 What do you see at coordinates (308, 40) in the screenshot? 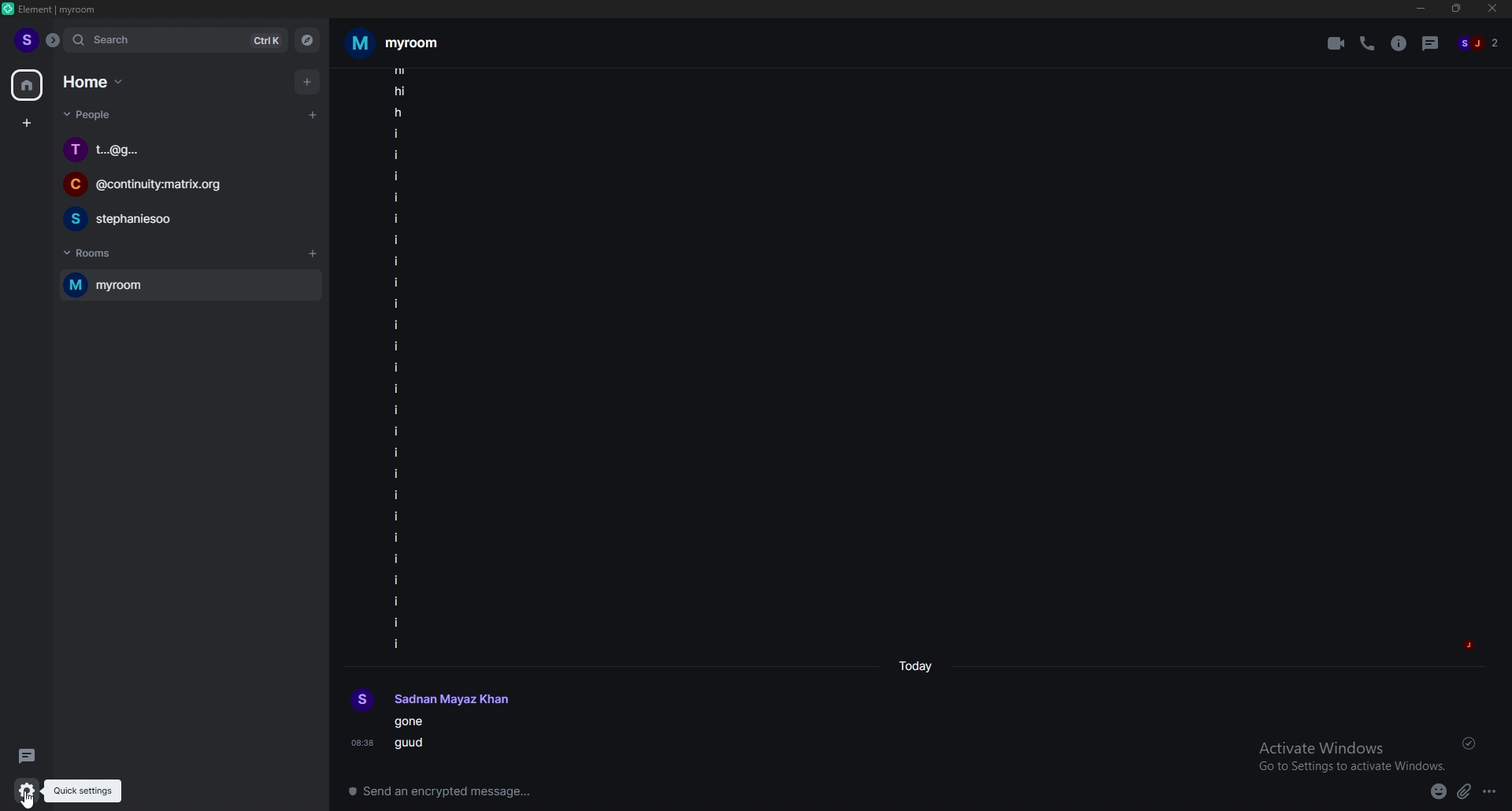
I see `explore room` at bounding box center [308, 40].